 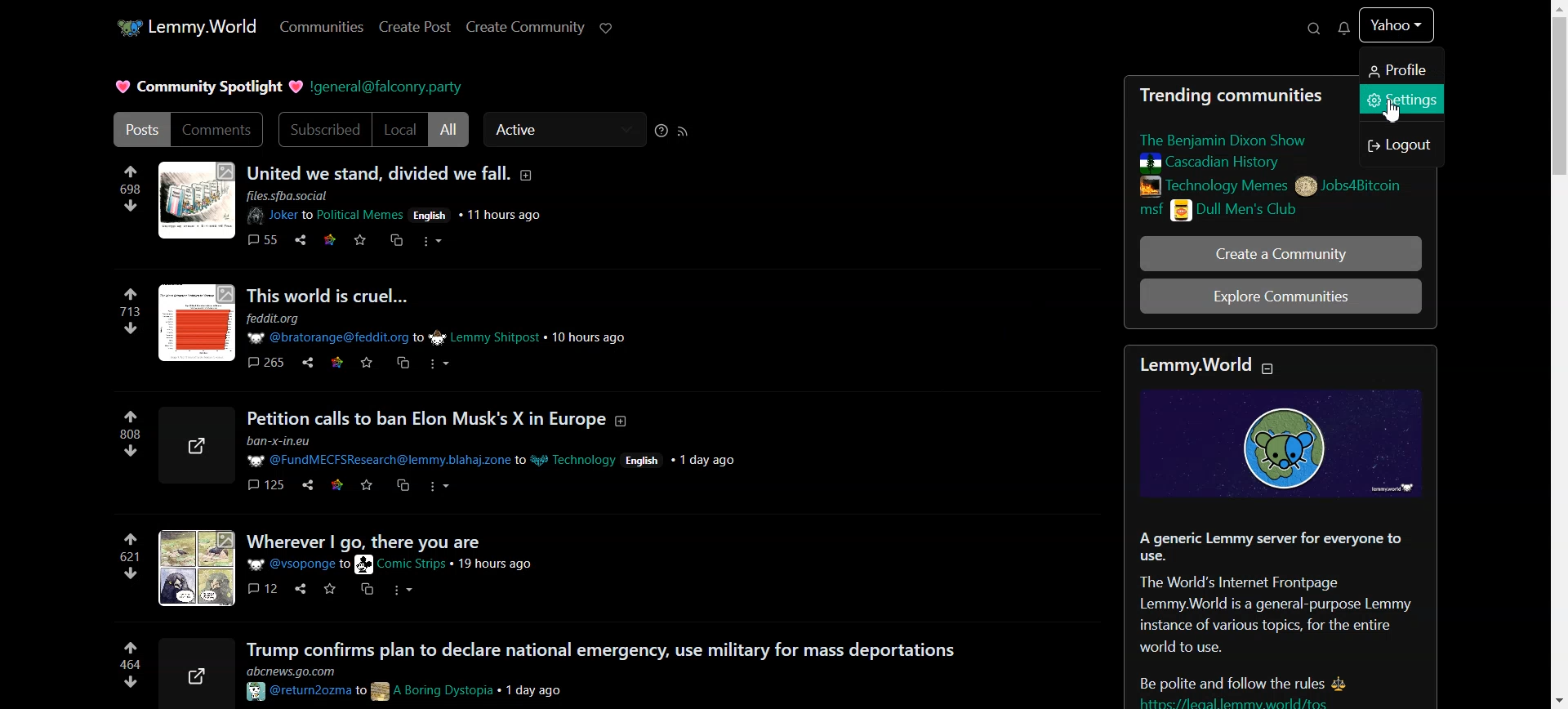 I want to click on username, so click(x=372, y=463).